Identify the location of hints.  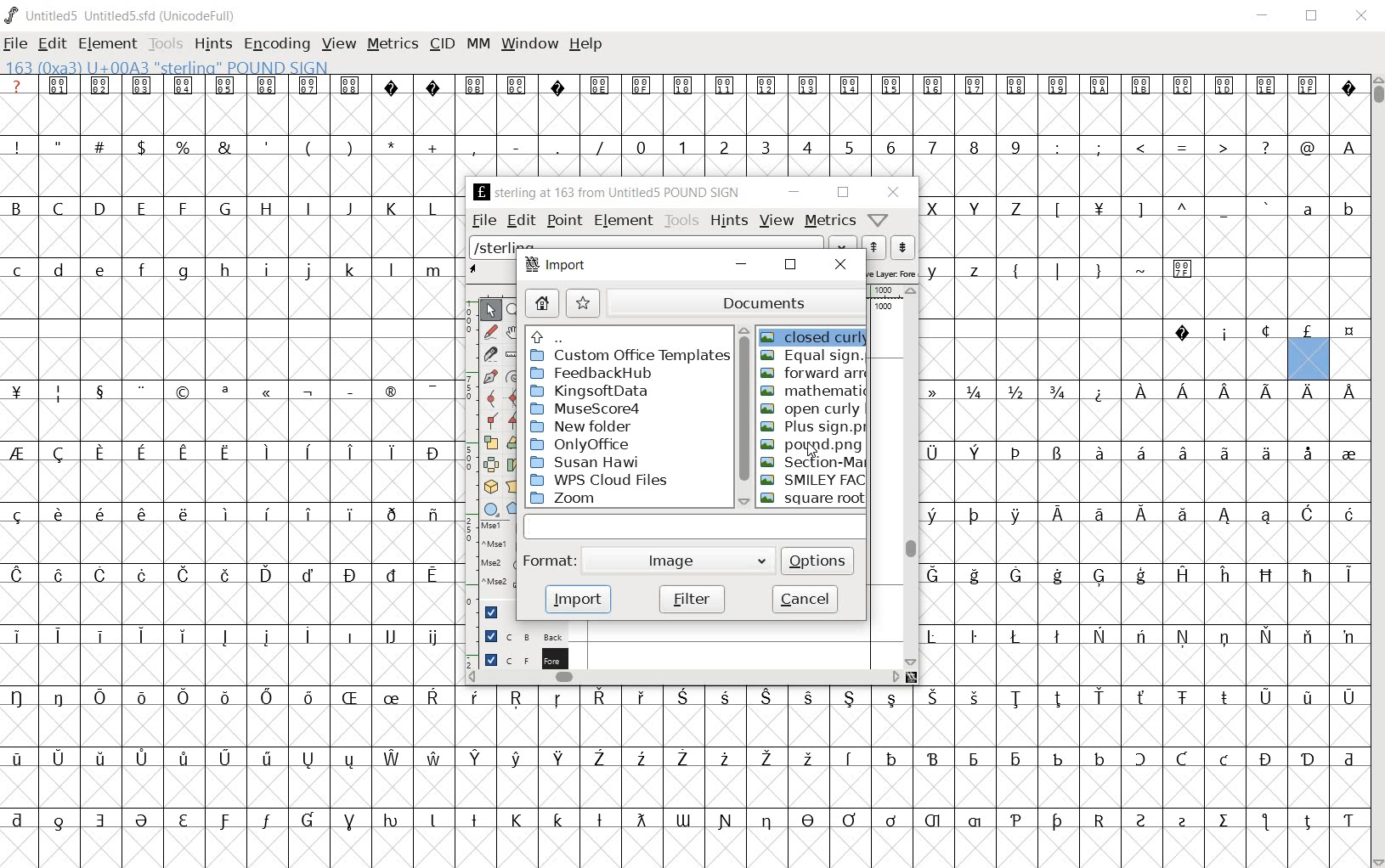
(729, 219).